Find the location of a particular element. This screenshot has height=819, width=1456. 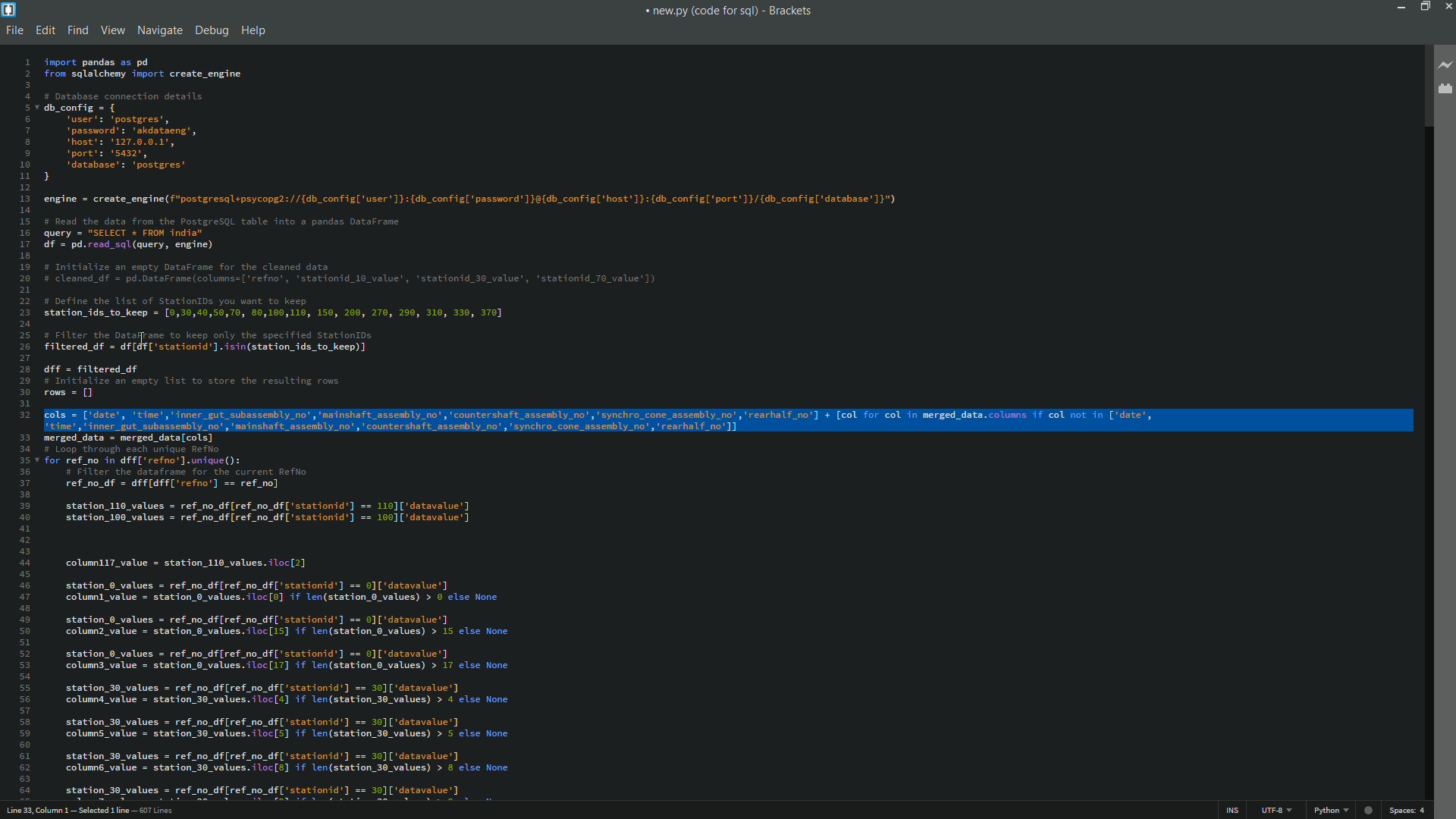

edit menu is located at coordinates (47, 30).